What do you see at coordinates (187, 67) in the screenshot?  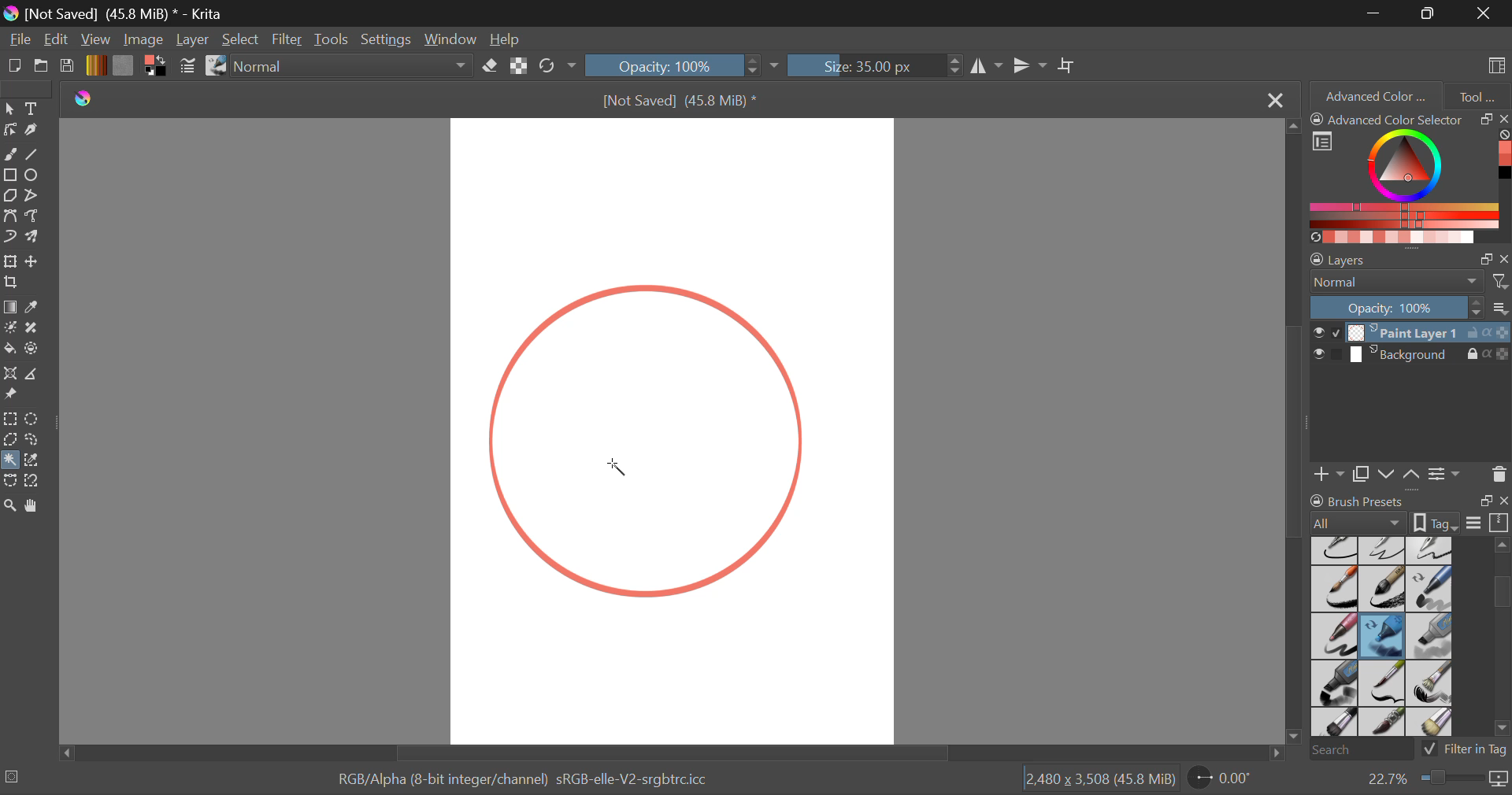 I see `Brush Settings` at bounding box center [187, 67].